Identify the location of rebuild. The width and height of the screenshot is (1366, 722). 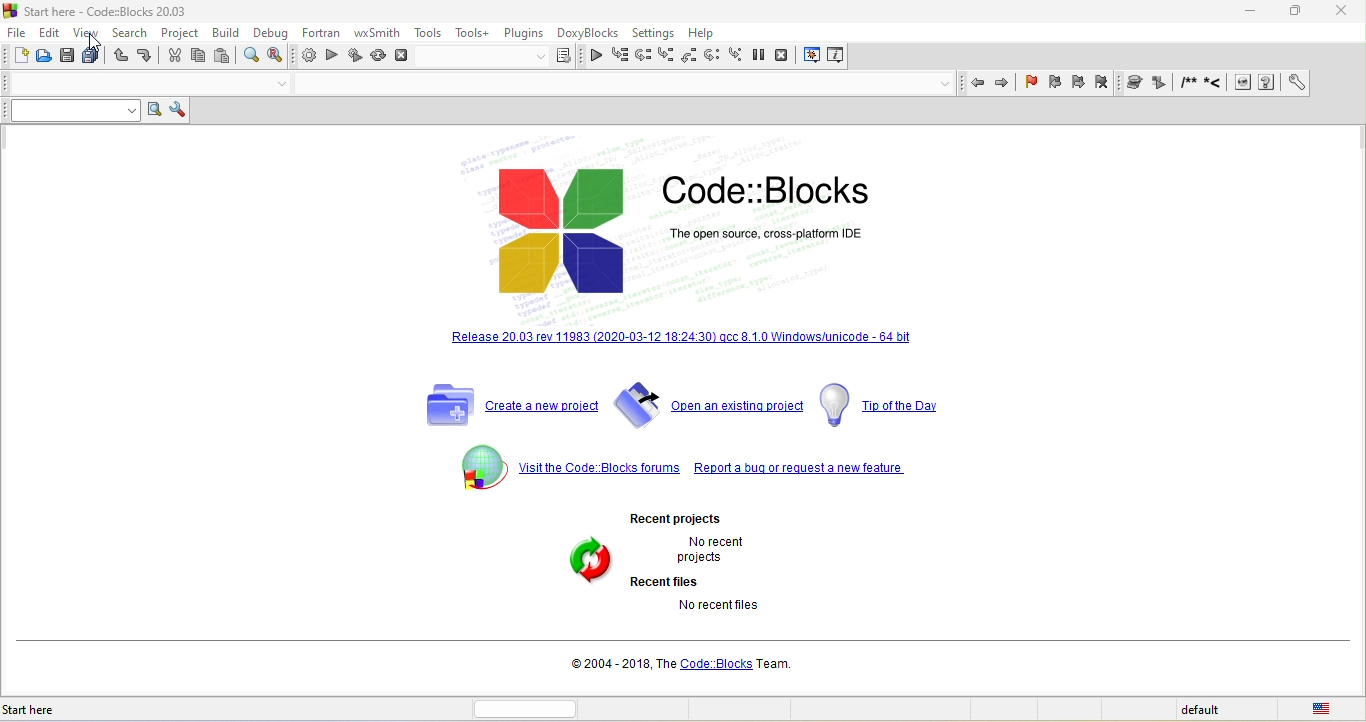
(377, 59).